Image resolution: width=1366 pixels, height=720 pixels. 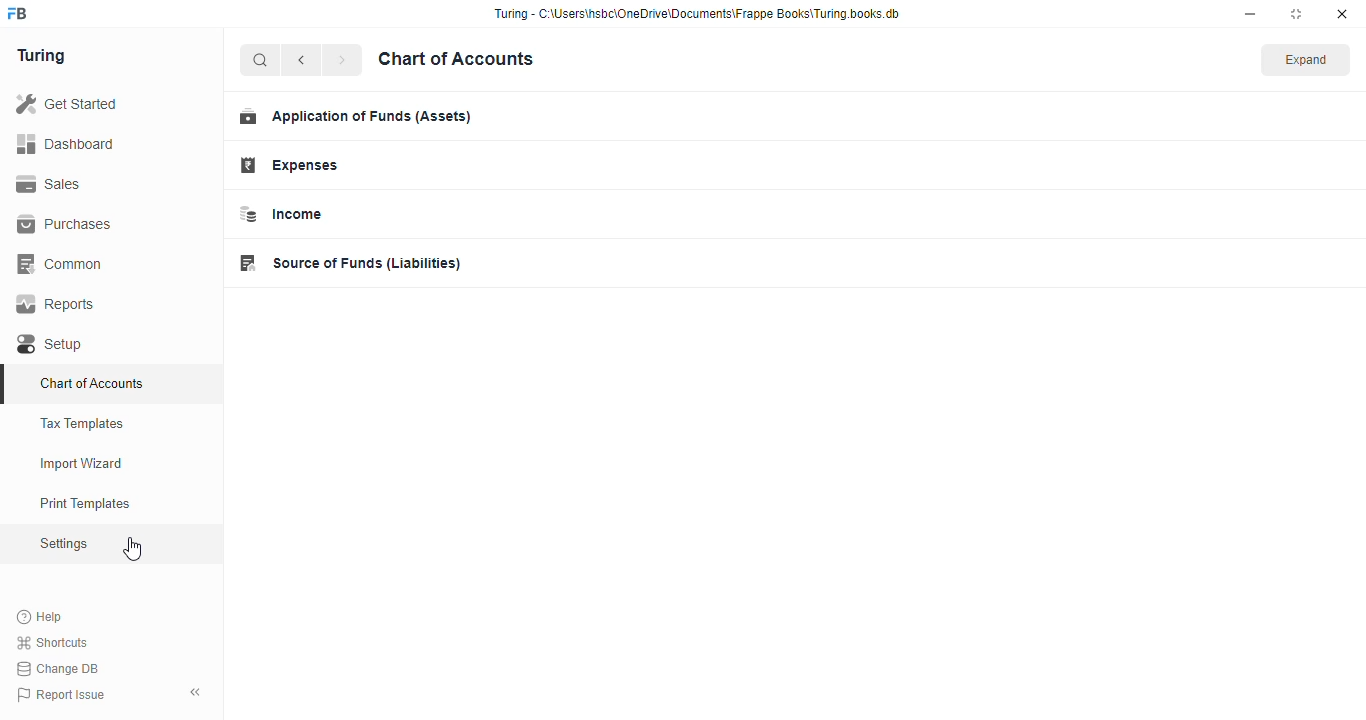 I want to click on expand, so click(x=1307, y=60).